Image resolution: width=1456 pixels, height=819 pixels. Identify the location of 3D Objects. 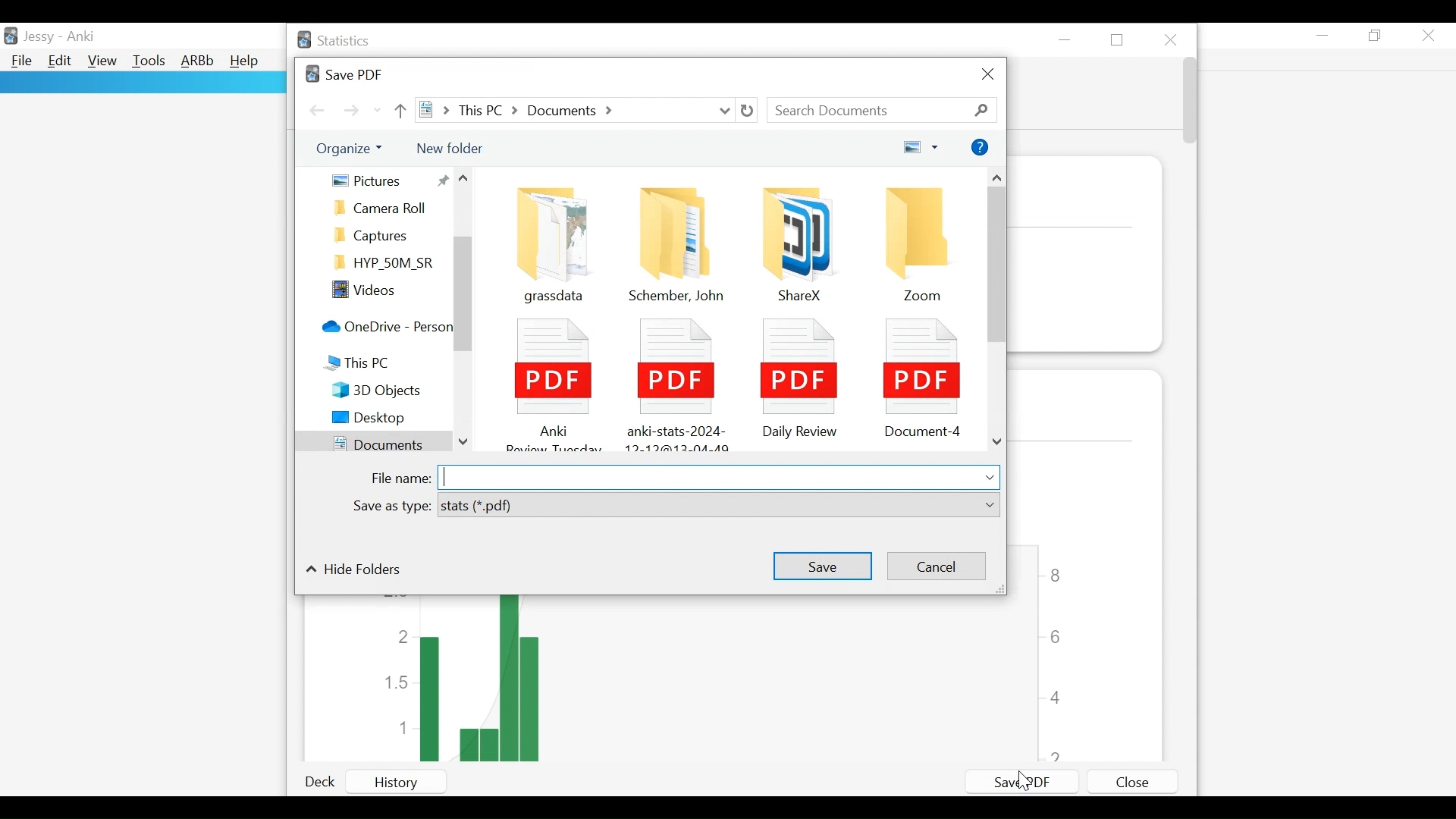
(388, 391).